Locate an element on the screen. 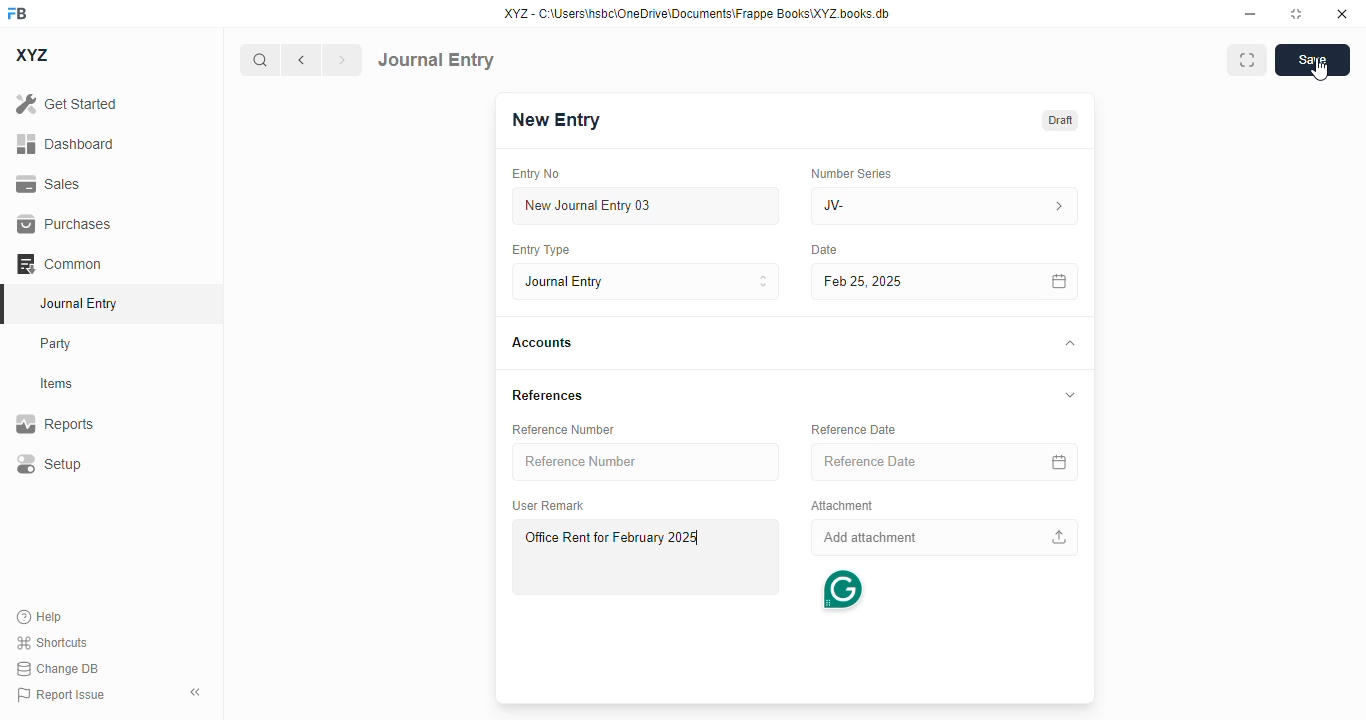 The width and height of the screenshot is (1366, 720). feb 25, 2025 is located at coordinates (916, 281).